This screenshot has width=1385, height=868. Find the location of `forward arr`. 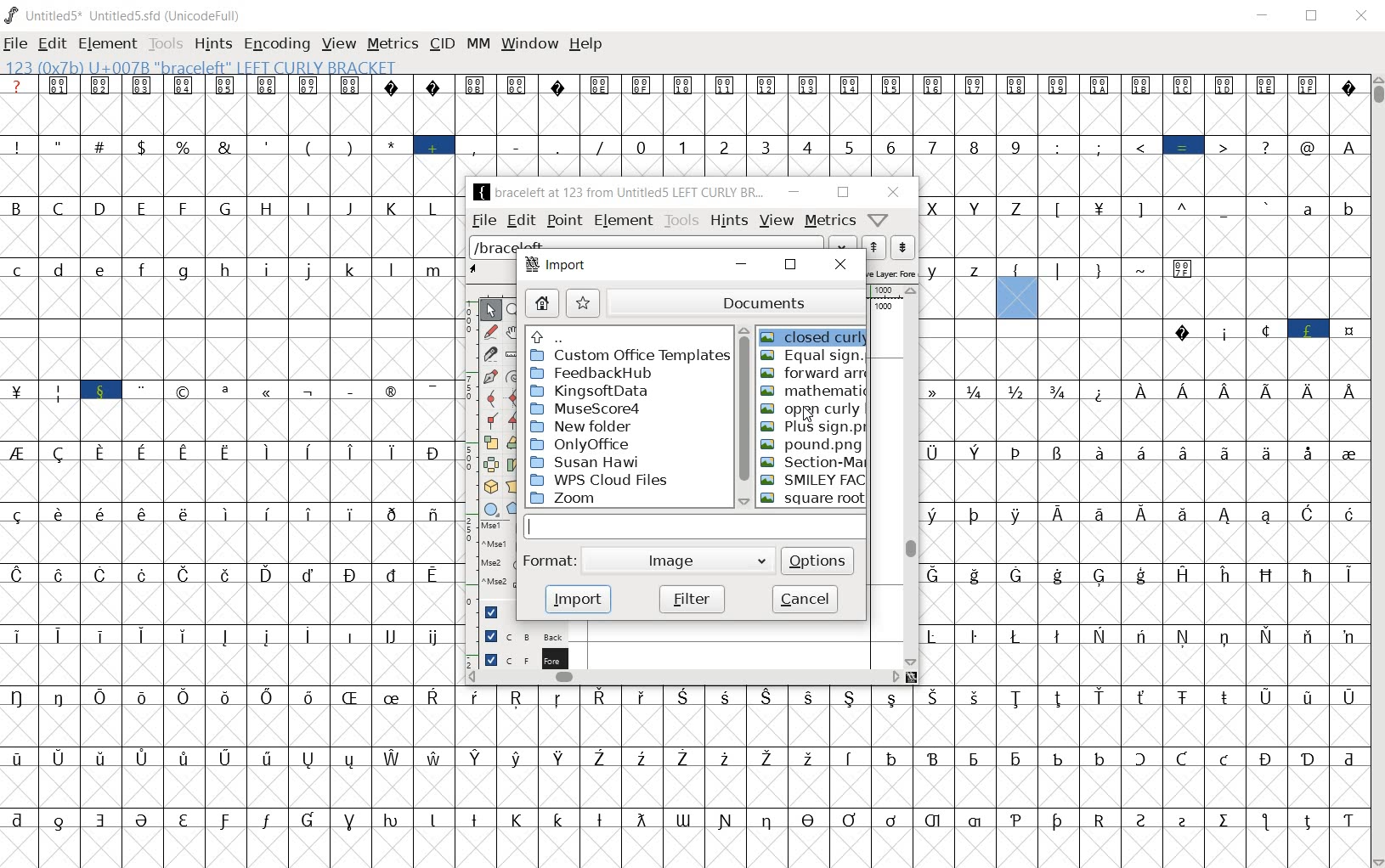

forward arr is located at coordinates (816, 374).